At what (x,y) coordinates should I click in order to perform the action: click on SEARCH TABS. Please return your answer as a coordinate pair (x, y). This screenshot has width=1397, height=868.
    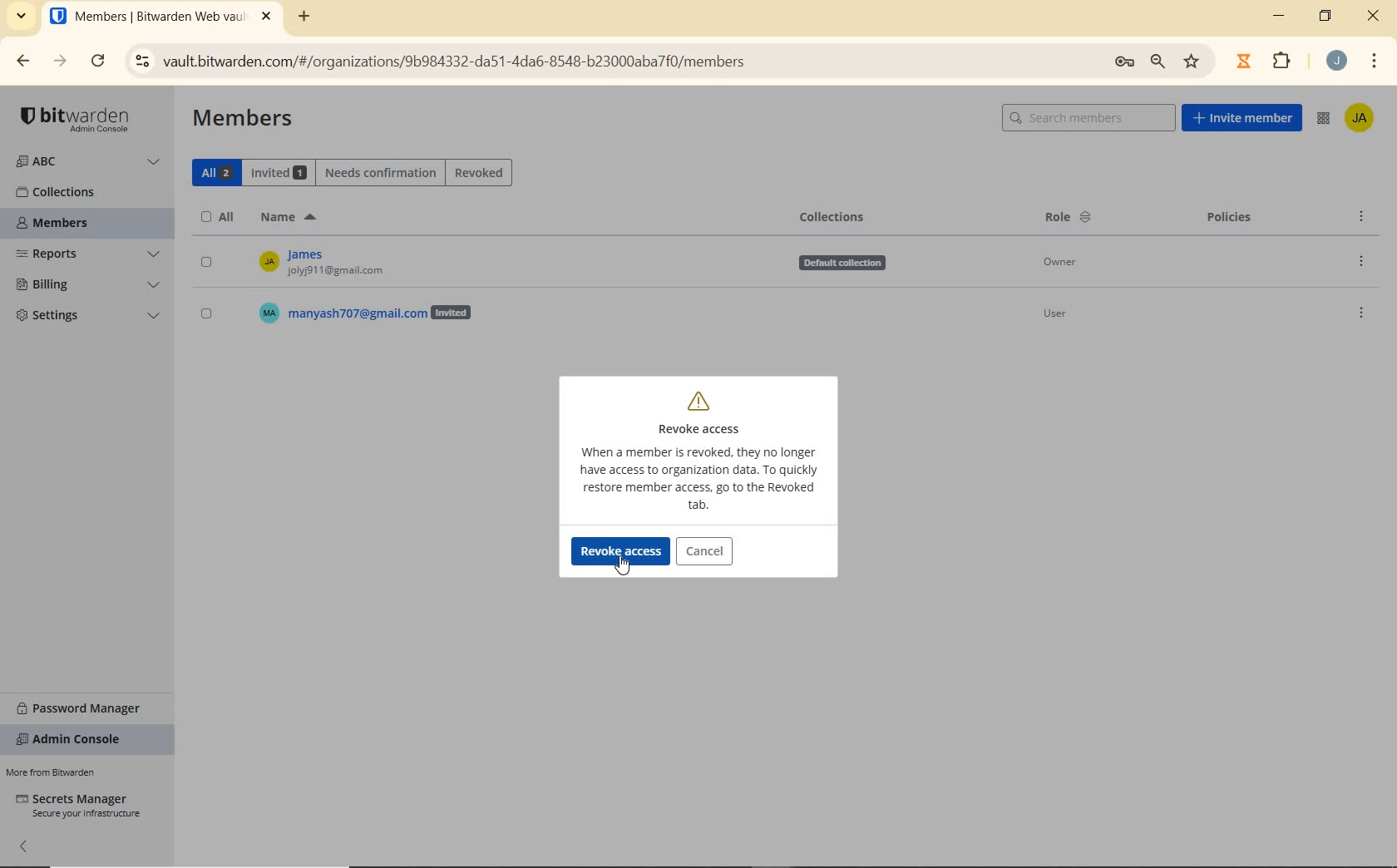
    Looking at the image, I should click on (22, 17).